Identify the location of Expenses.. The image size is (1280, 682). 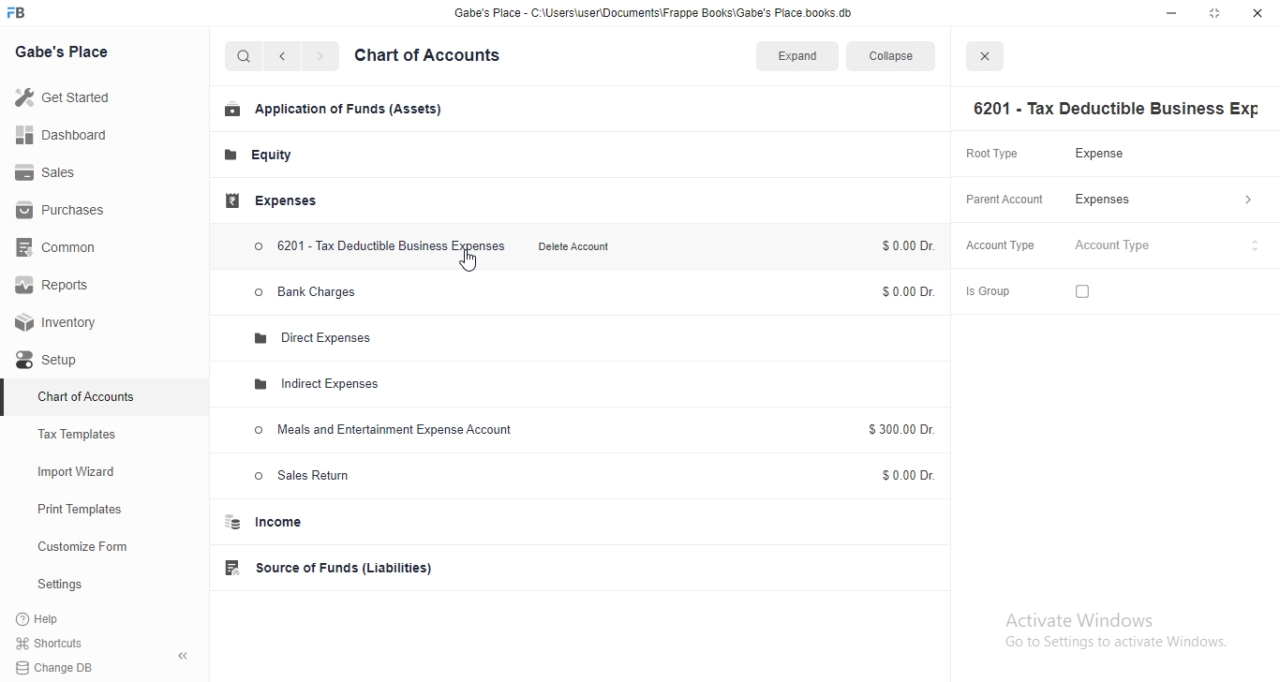
(1111, 200).